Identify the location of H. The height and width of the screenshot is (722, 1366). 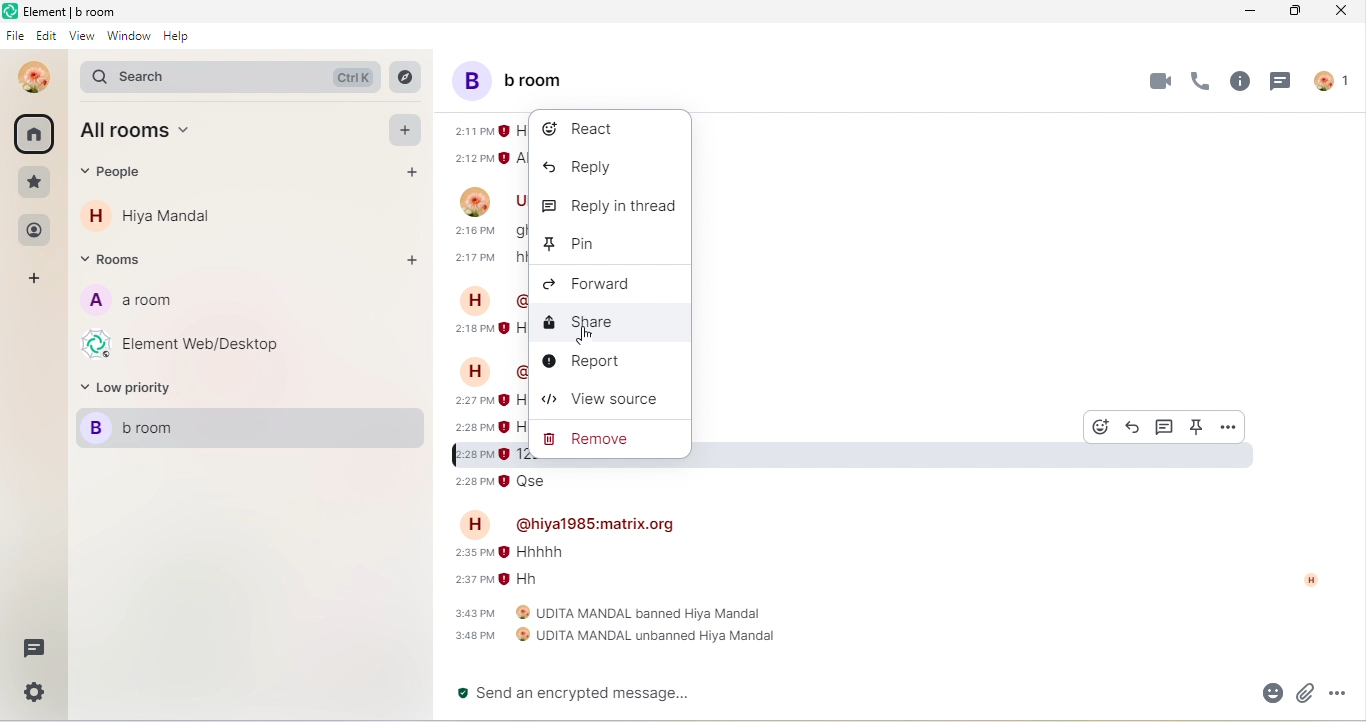
(479, 525).